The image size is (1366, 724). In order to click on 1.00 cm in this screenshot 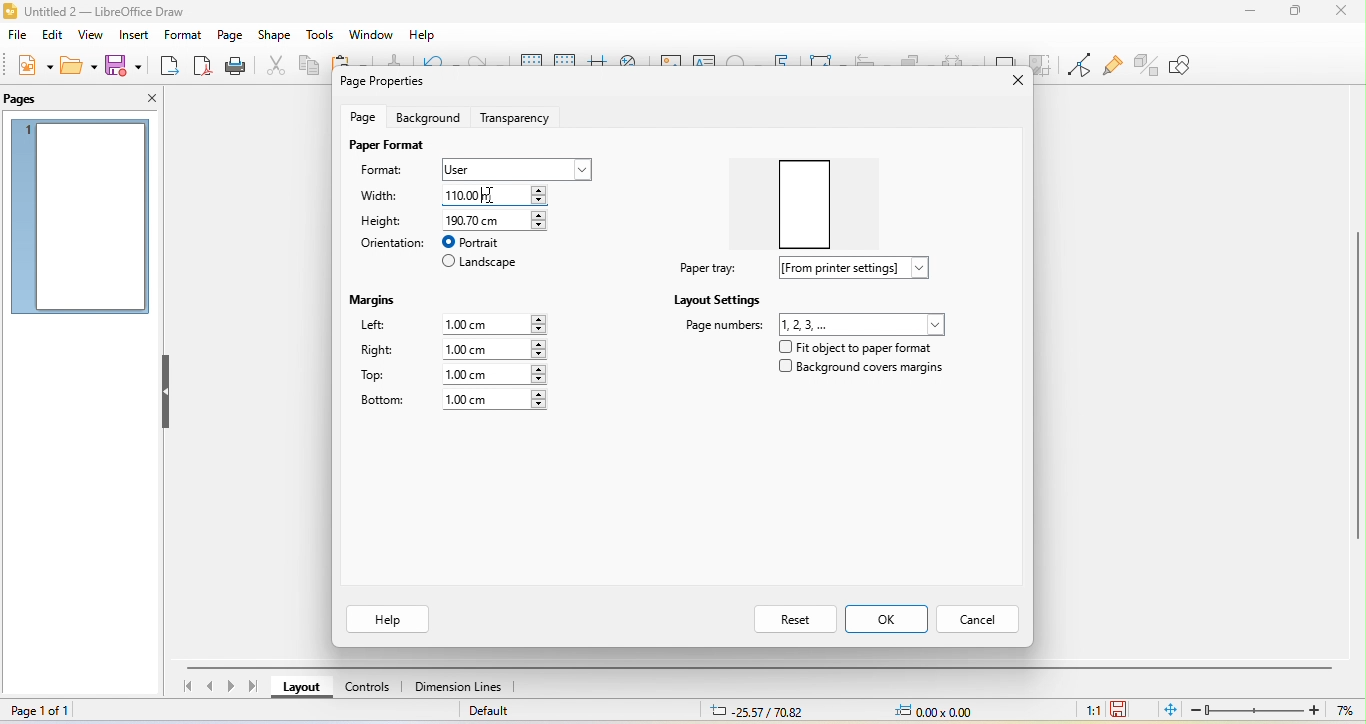, I will do `click(495, 400)`.